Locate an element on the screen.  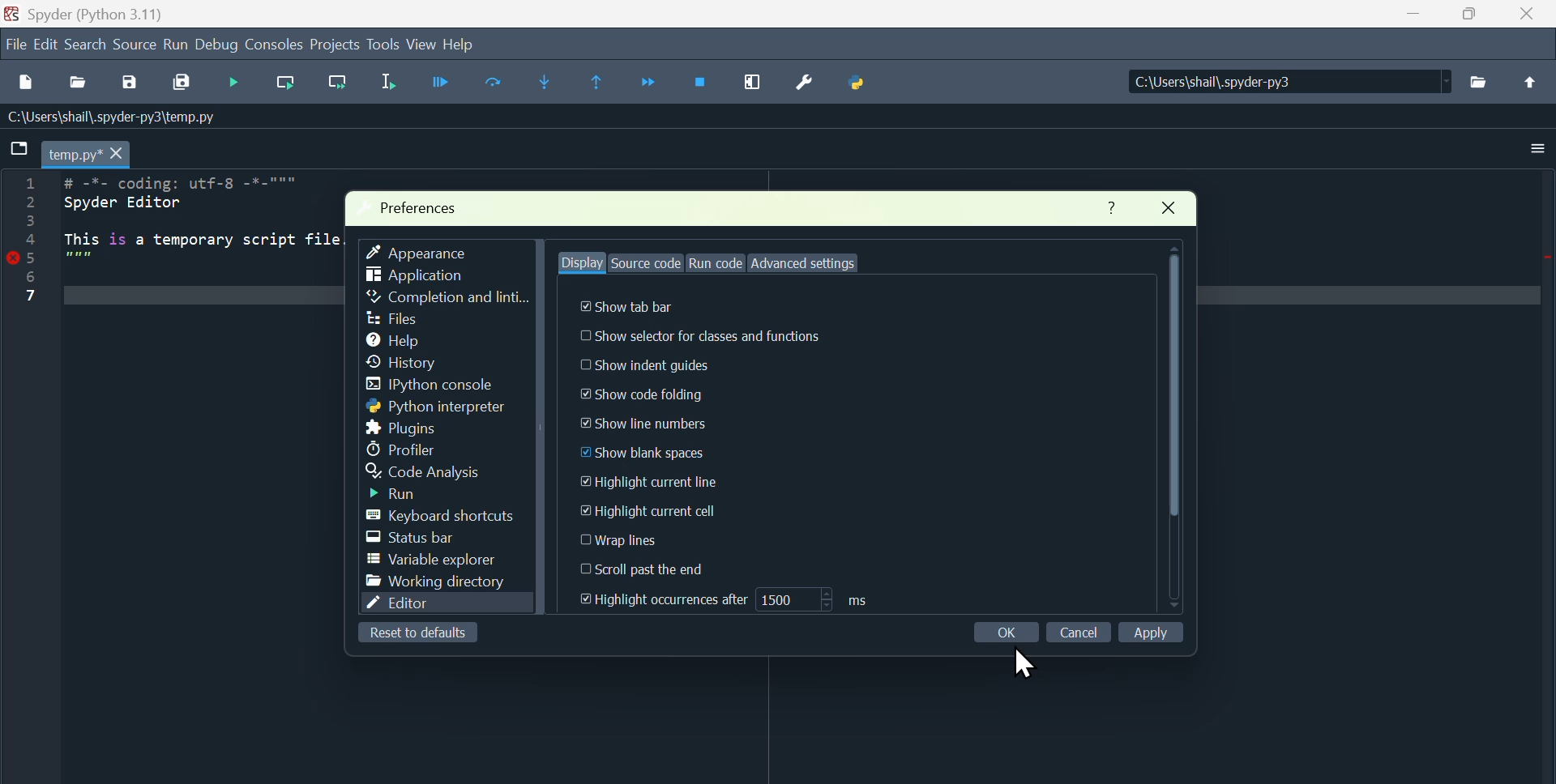
Wrap lines is located at coordinates (627, 541).